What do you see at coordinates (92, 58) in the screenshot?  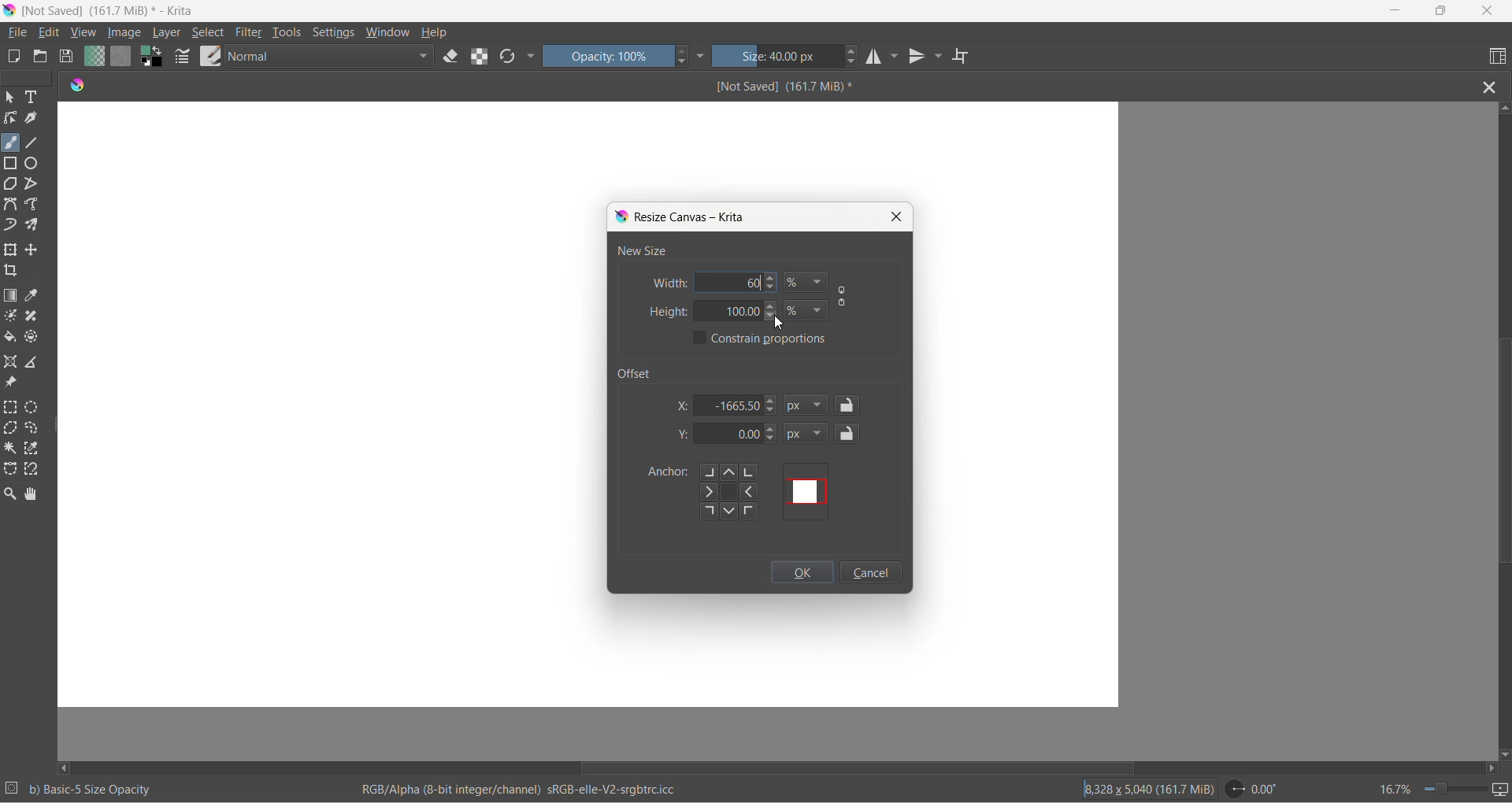 I see `fill gradient ` at bounding box center [92, 58].